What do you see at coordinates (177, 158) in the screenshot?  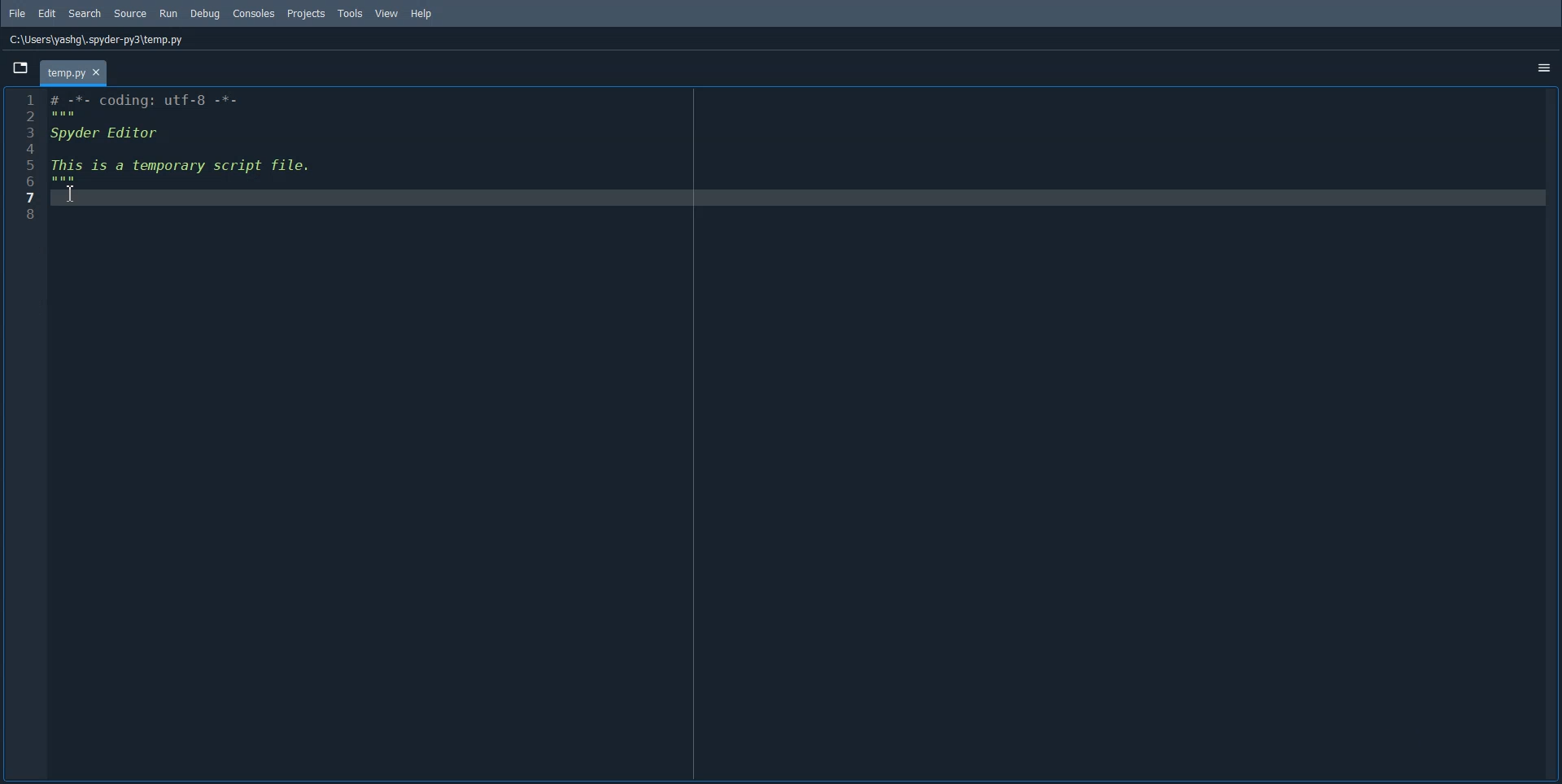 I see `1 # -*- coding: utf-8 -*-

Bl:

3 Spyder Editor

i

5 This is a temporary script file.
© Bs

7

8` at bounding box center [177, 158].